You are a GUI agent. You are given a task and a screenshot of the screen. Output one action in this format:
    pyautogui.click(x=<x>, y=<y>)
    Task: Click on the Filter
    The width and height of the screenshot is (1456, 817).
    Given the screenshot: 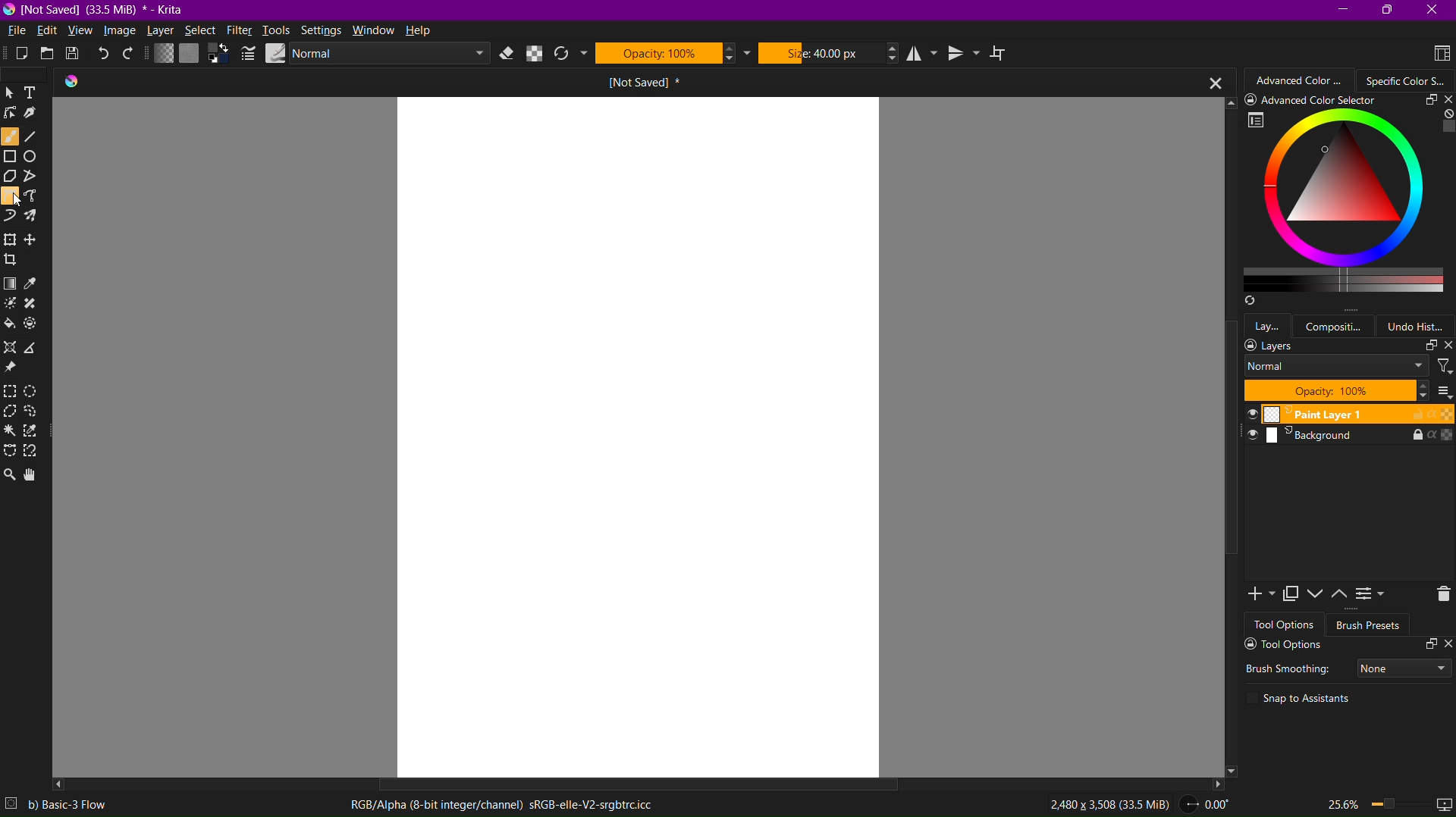 What is the action you would take?
    pyautogui.click(x=239, y=30)
    